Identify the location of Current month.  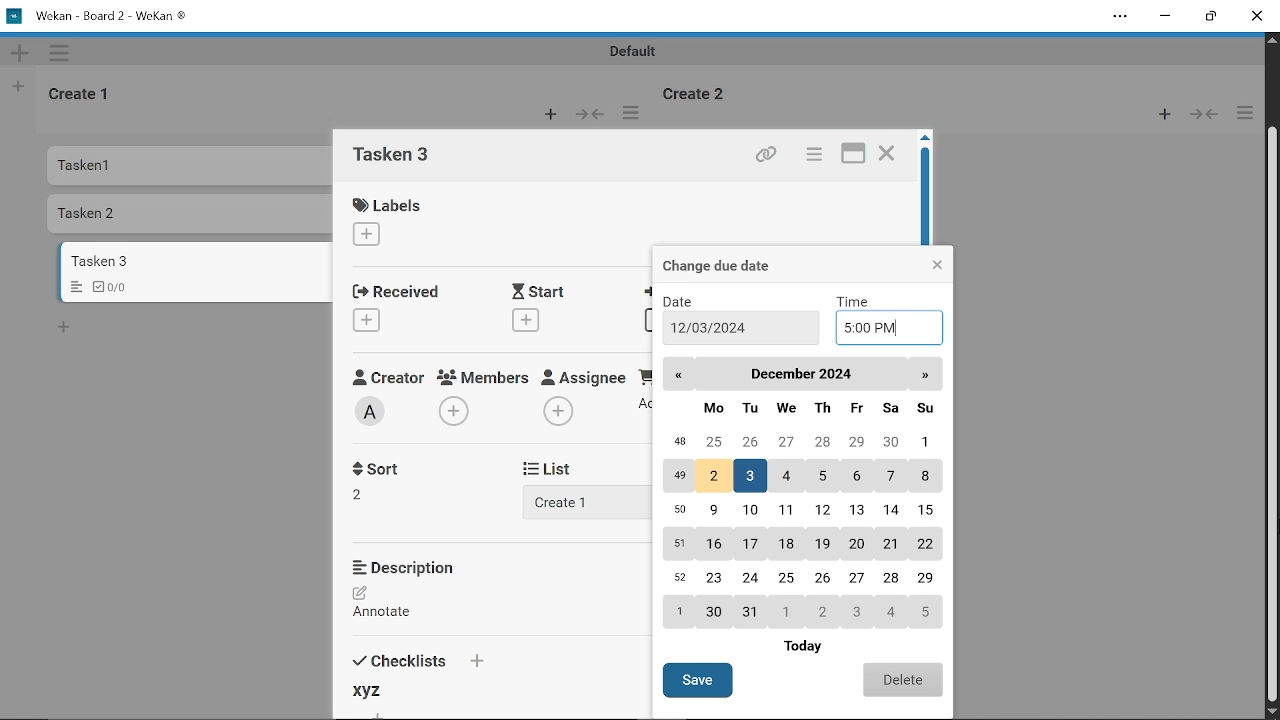
(800, 374).